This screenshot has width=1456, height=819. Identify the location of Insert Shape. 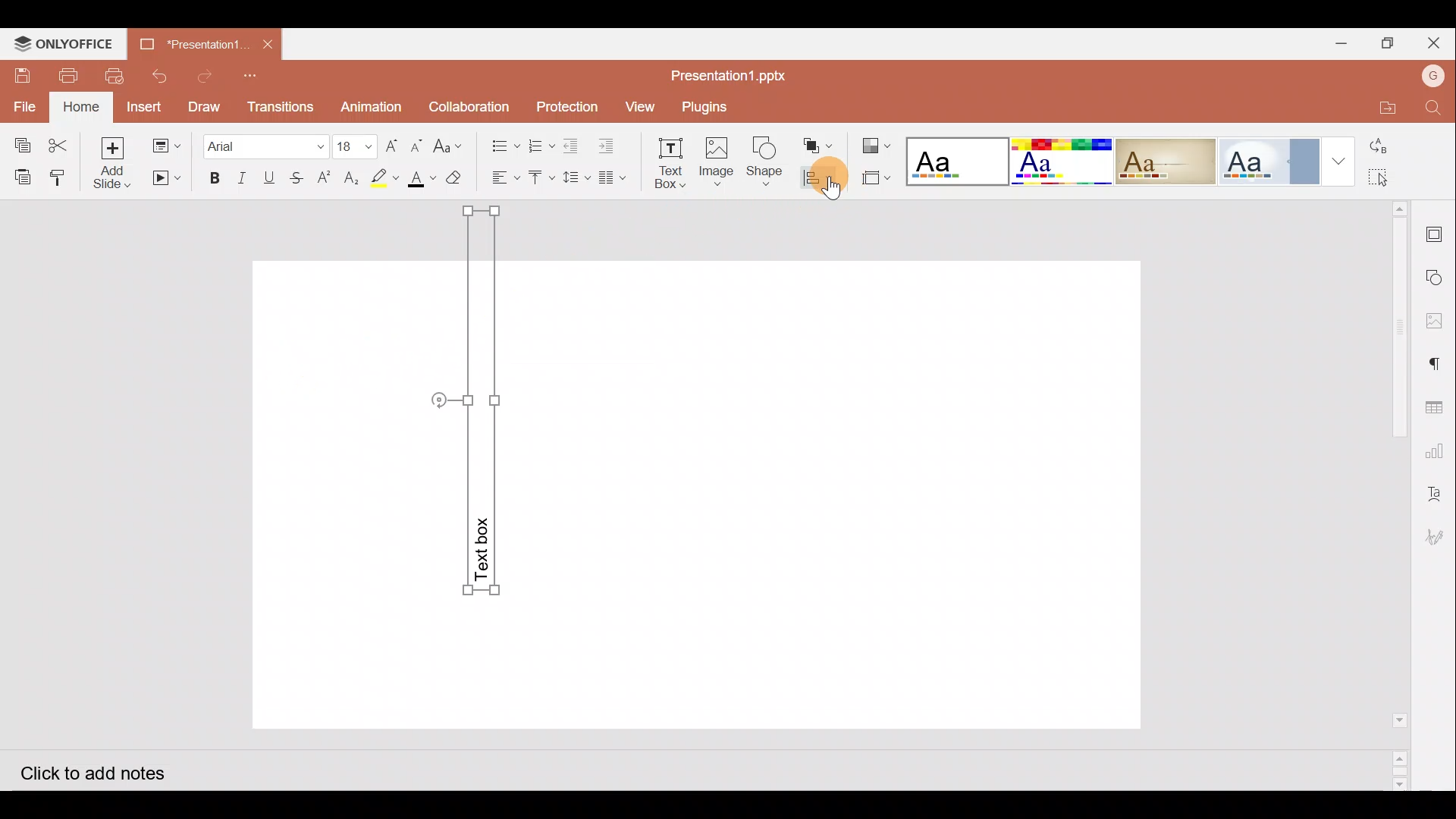
(764, 162).